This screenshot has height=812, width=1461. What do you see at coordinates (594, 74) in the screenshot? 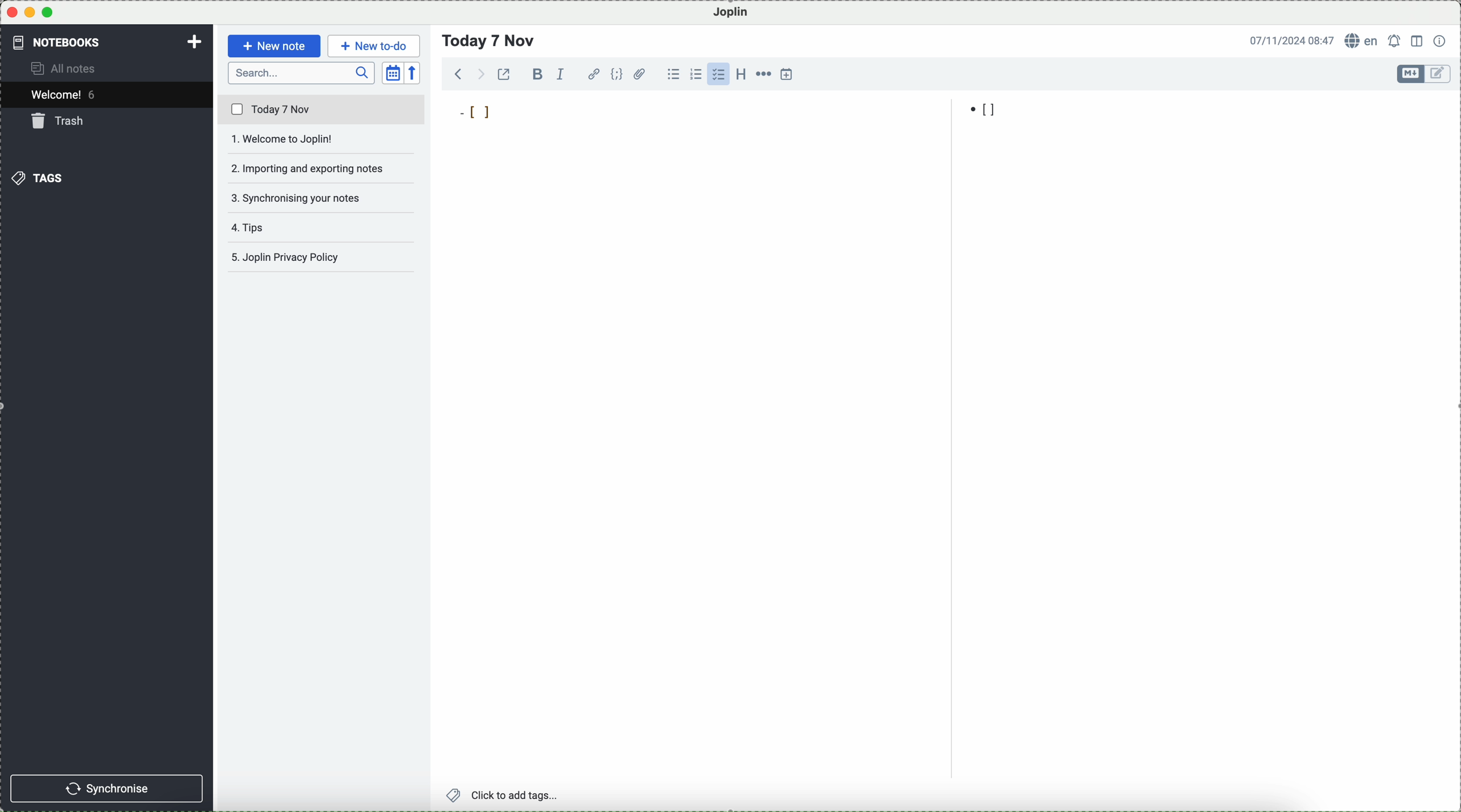
I see `hyperlink` at bounding box center [594, 74].